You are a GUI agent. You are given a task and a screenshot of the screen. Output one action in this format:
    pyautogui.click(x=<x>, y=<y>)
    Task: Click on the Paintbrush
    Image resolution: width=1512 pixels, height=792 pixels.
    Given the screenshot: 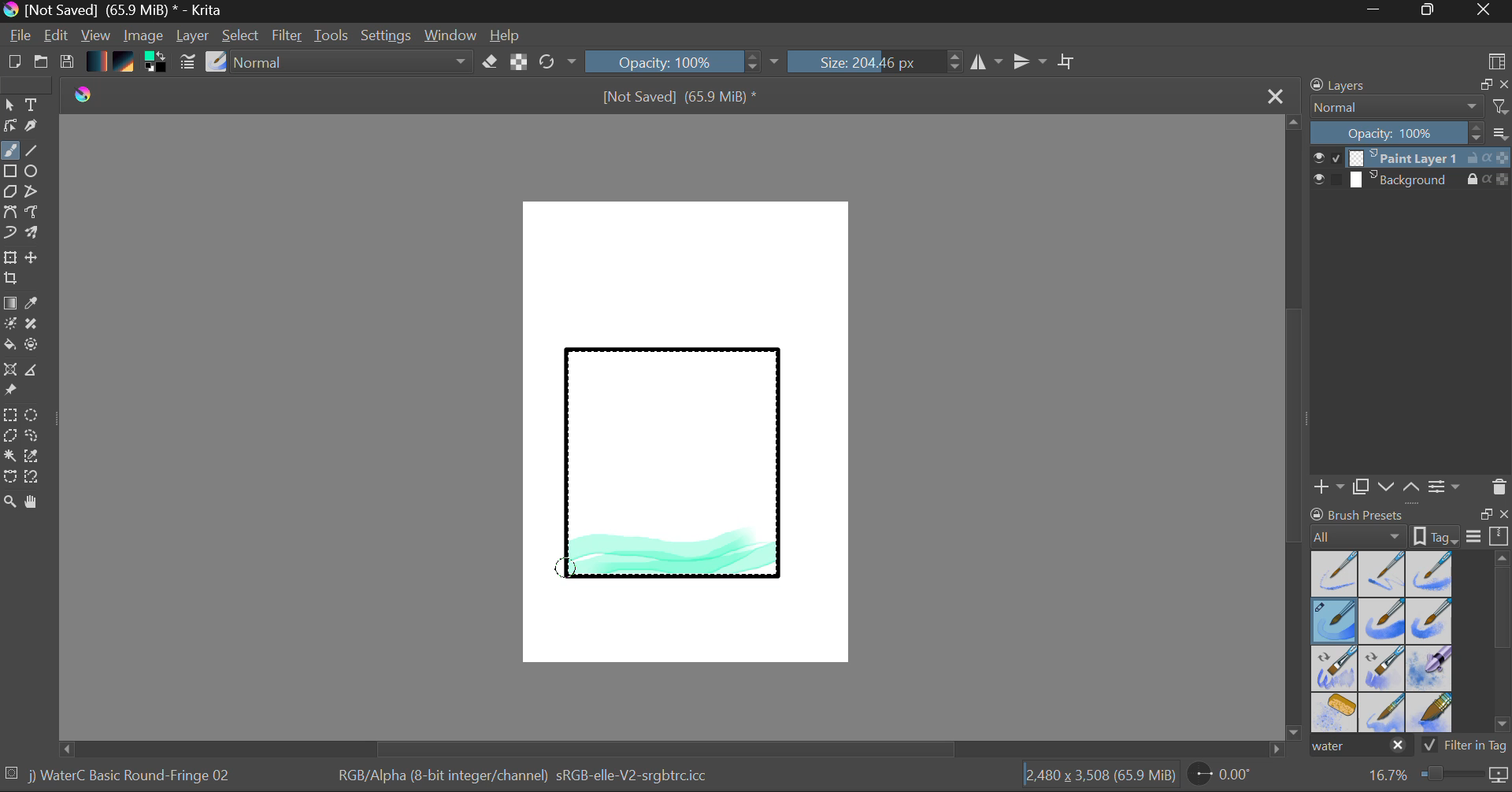 What is the action you would take?
    pyautogui.click(x=9, y=152)
    